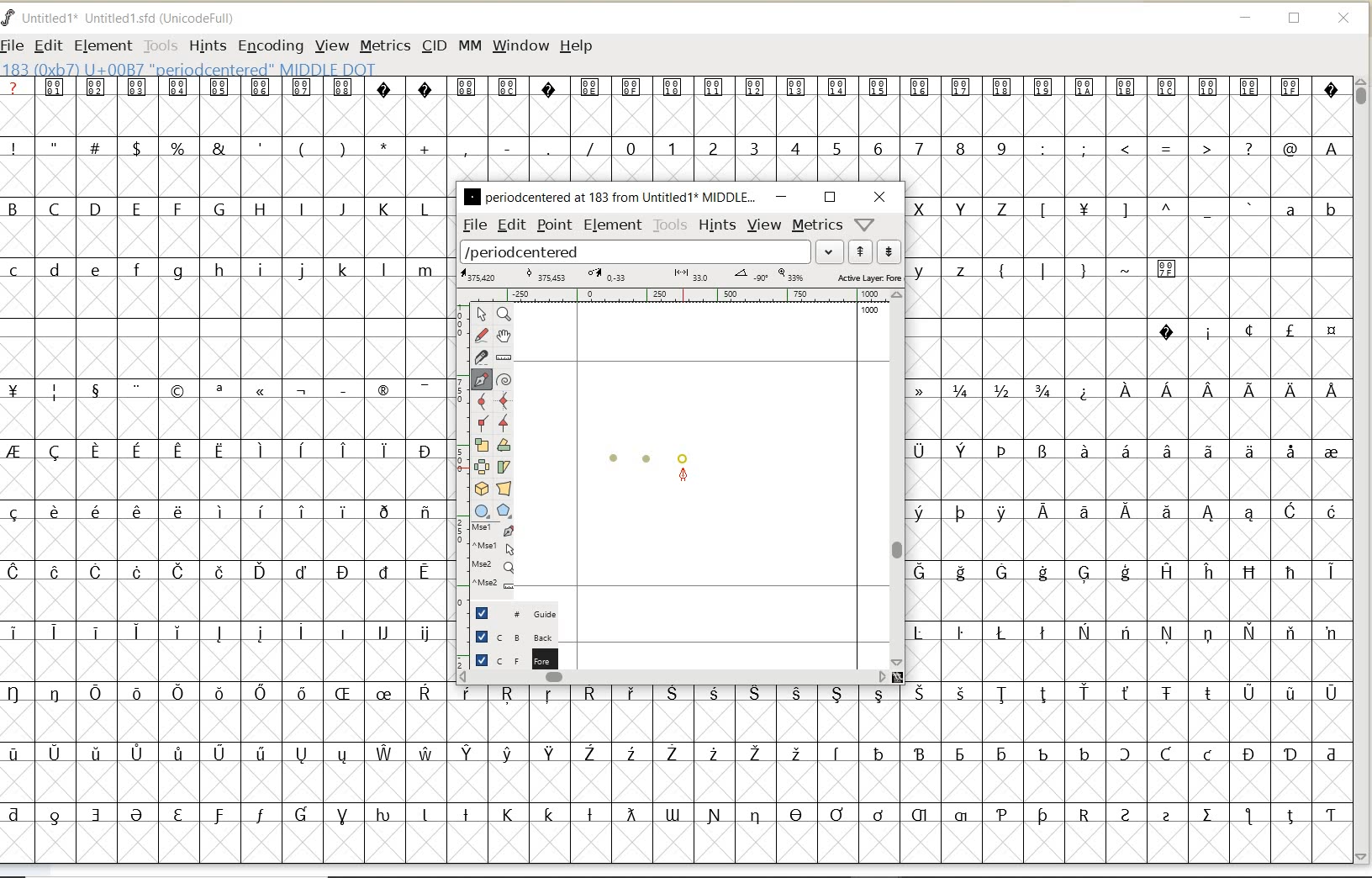 Image resolution: width=1372 pixels, height=878 pixels. Describe the element at coordinates (482, 378) in the screenshot. I see `add a point, then drag out its control points` at that location.